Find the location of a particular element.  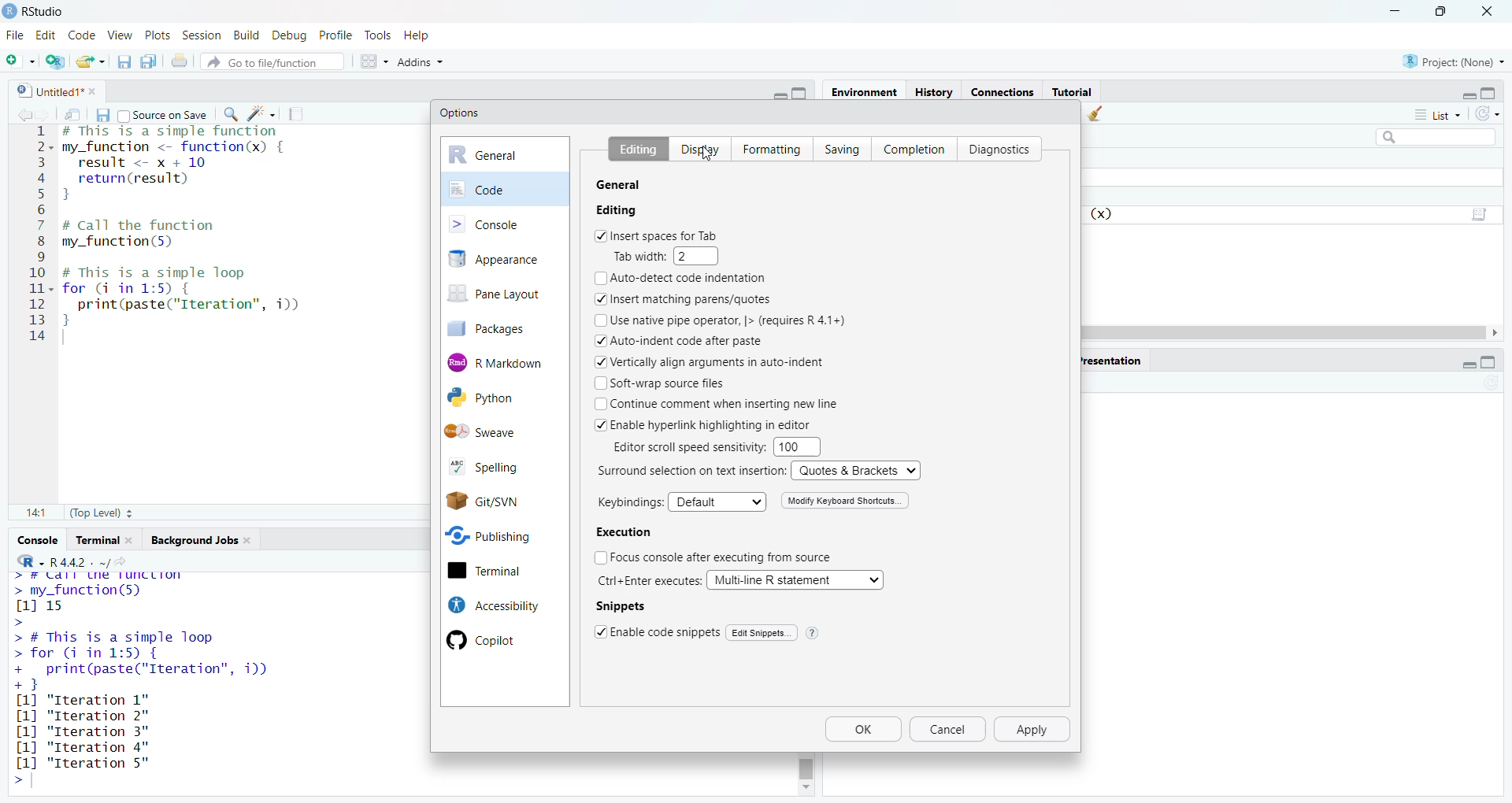

build is located at coordinates (245, 32).